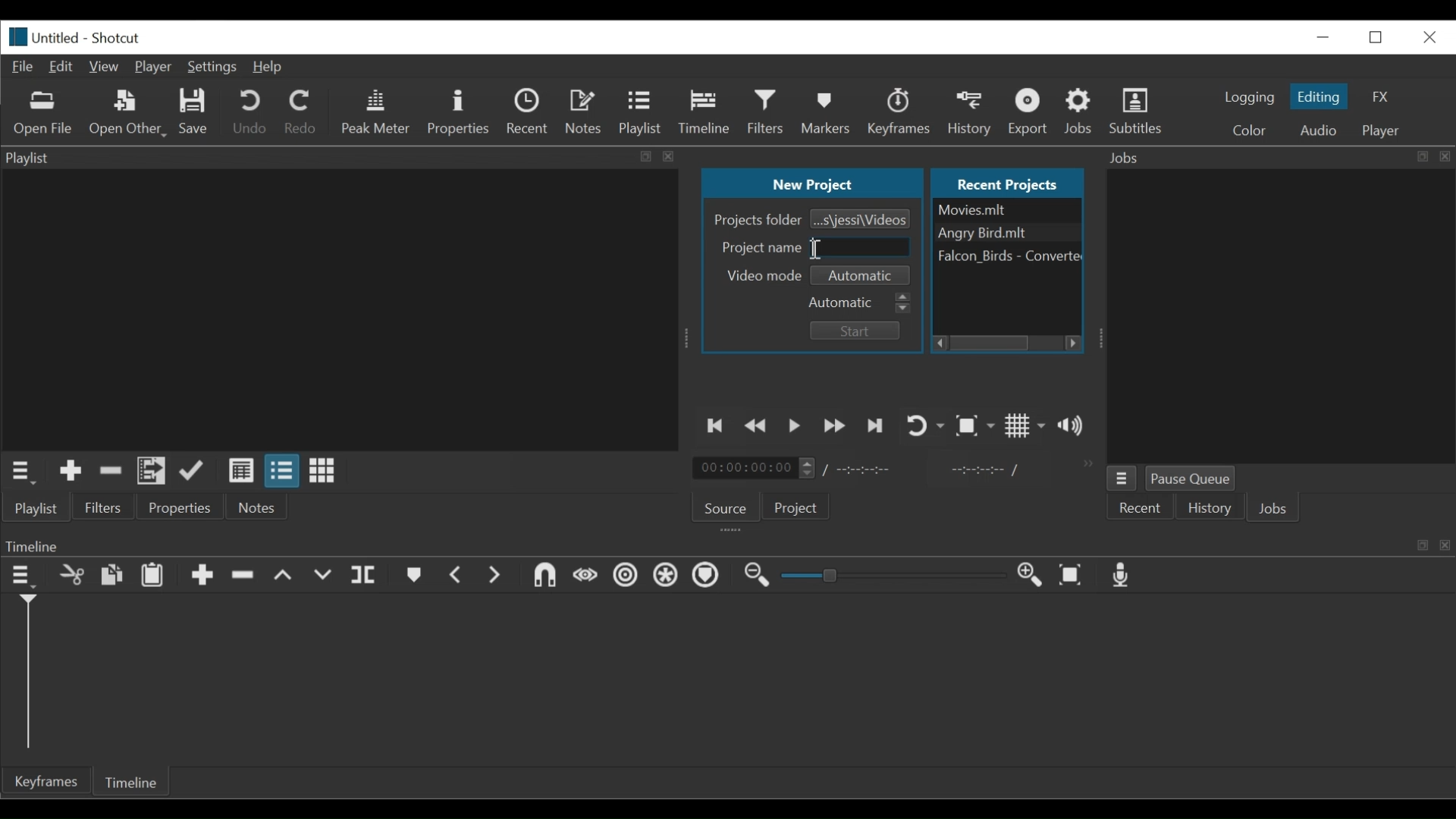 This screenshot has width=1456, height=819. I want to click on Recent Projects, so click(1003, 182).